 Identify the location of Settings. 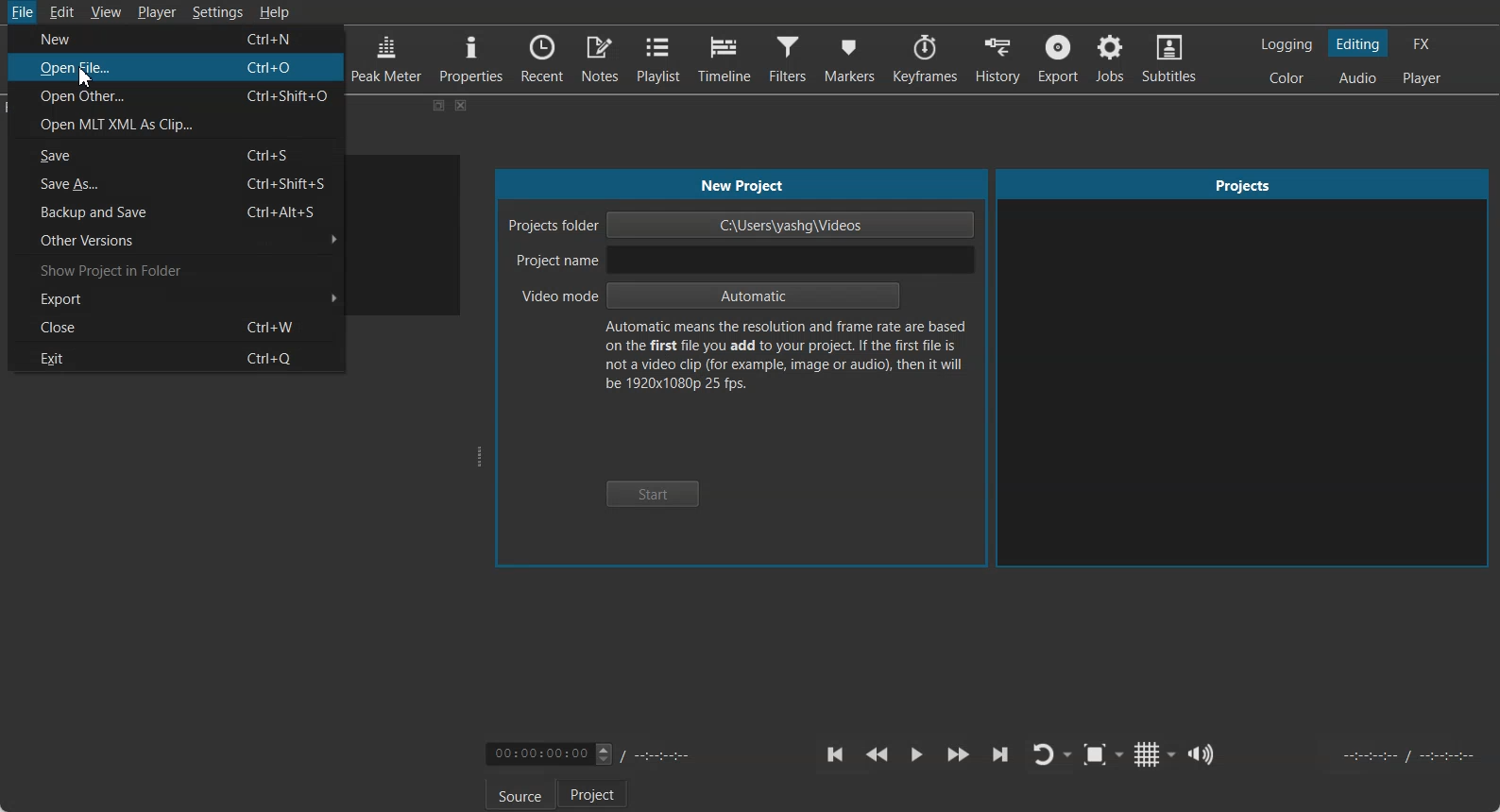
(218, 12).